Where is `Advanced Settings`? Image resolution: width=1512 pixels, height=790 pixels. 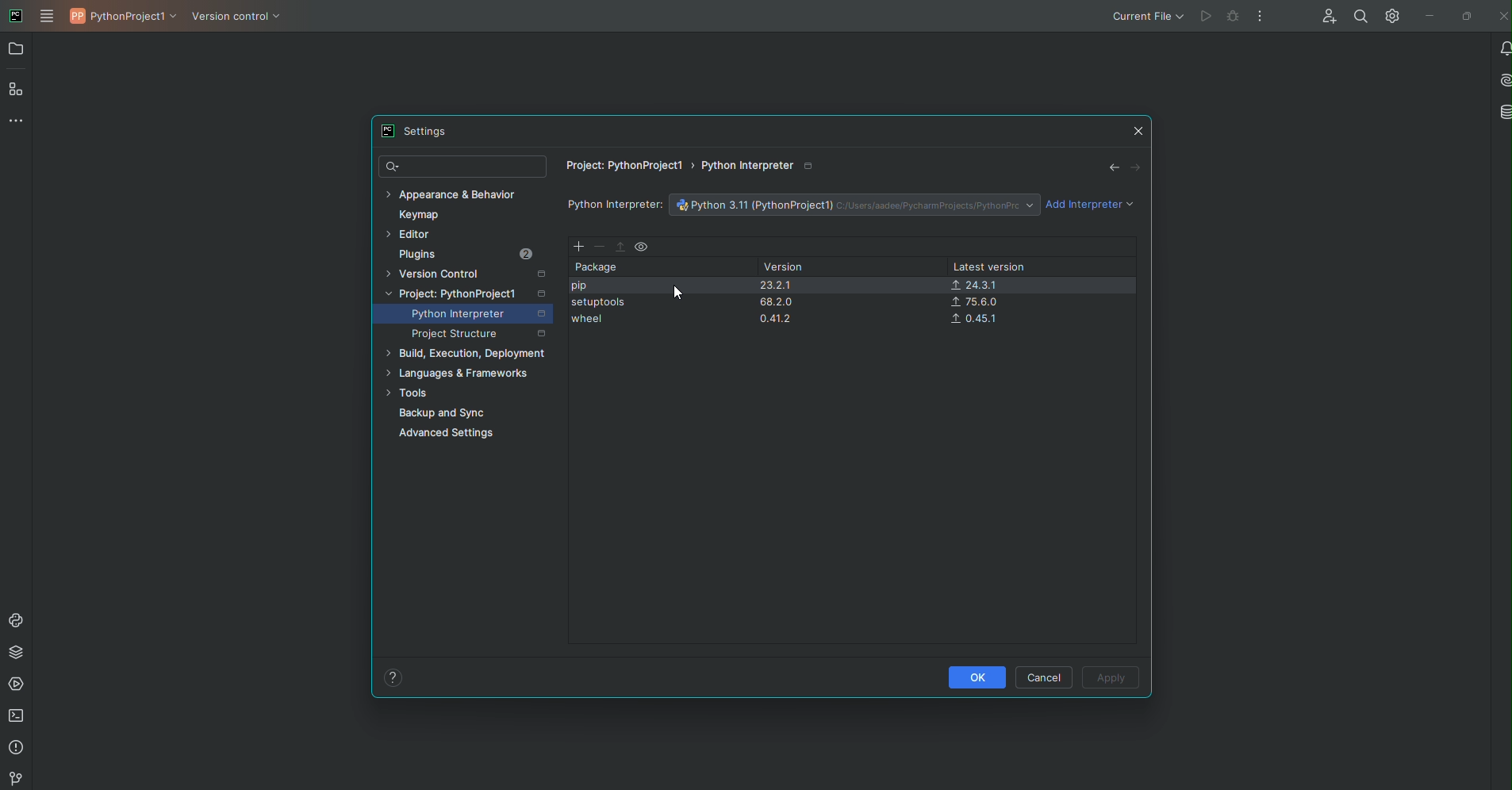 Advanced Settings is located at coordinates (453, 435).